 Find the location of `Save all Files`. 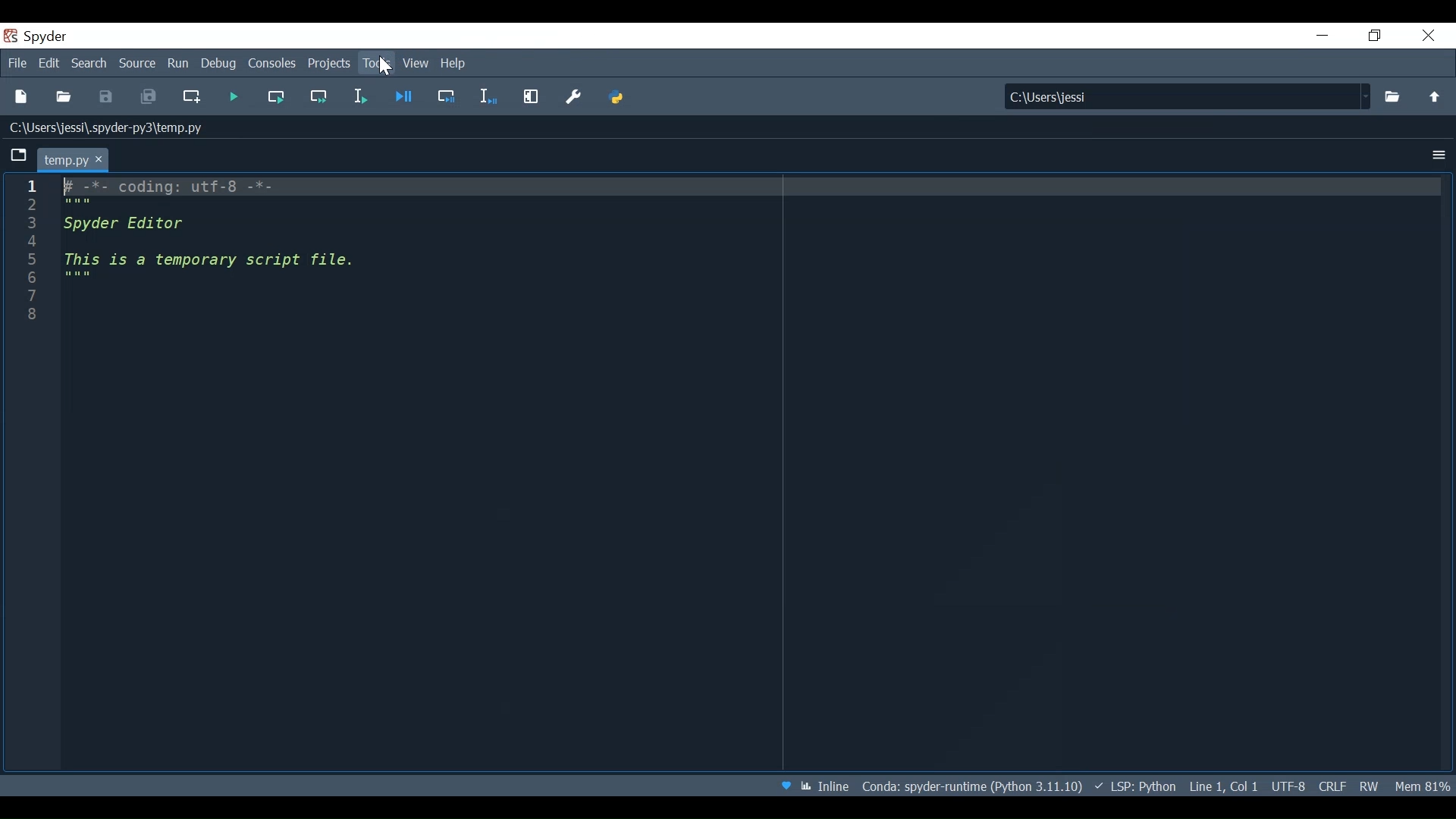

Save all Files is located at coordinates (149, 97).